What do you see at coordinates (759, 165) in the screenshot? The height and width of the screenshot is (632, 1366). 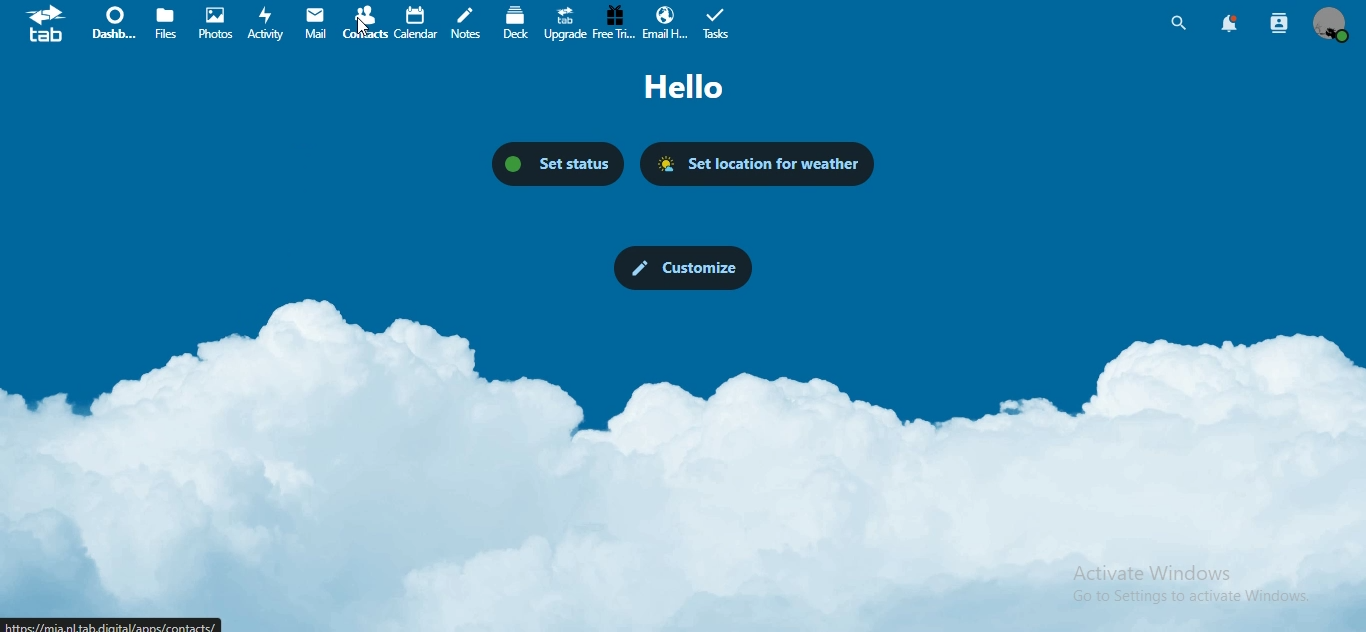 I see `set location for weather` at bounding box center [759, 165].